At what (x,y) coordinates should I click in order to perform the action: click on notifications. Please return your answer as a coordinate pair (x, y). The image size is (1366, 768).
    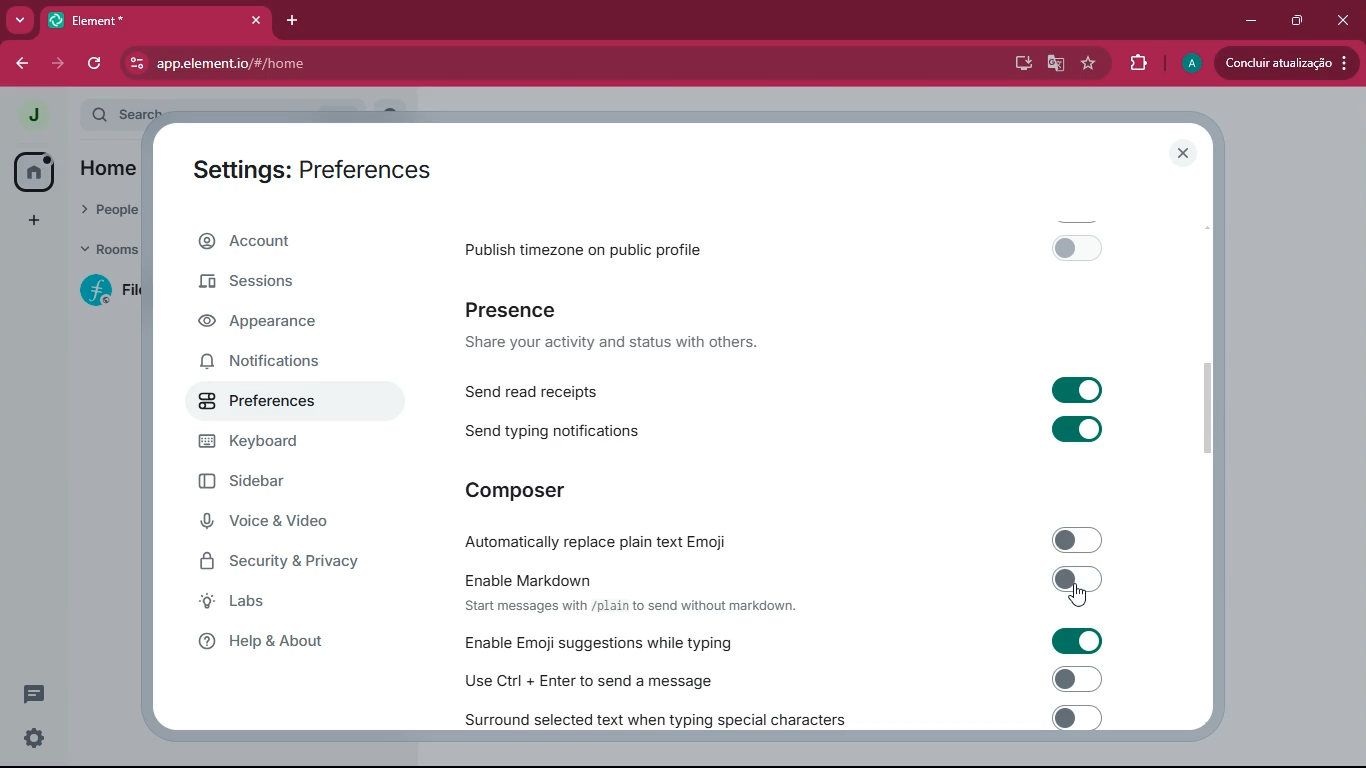
    Looking at the image, I should click on (272, 364).